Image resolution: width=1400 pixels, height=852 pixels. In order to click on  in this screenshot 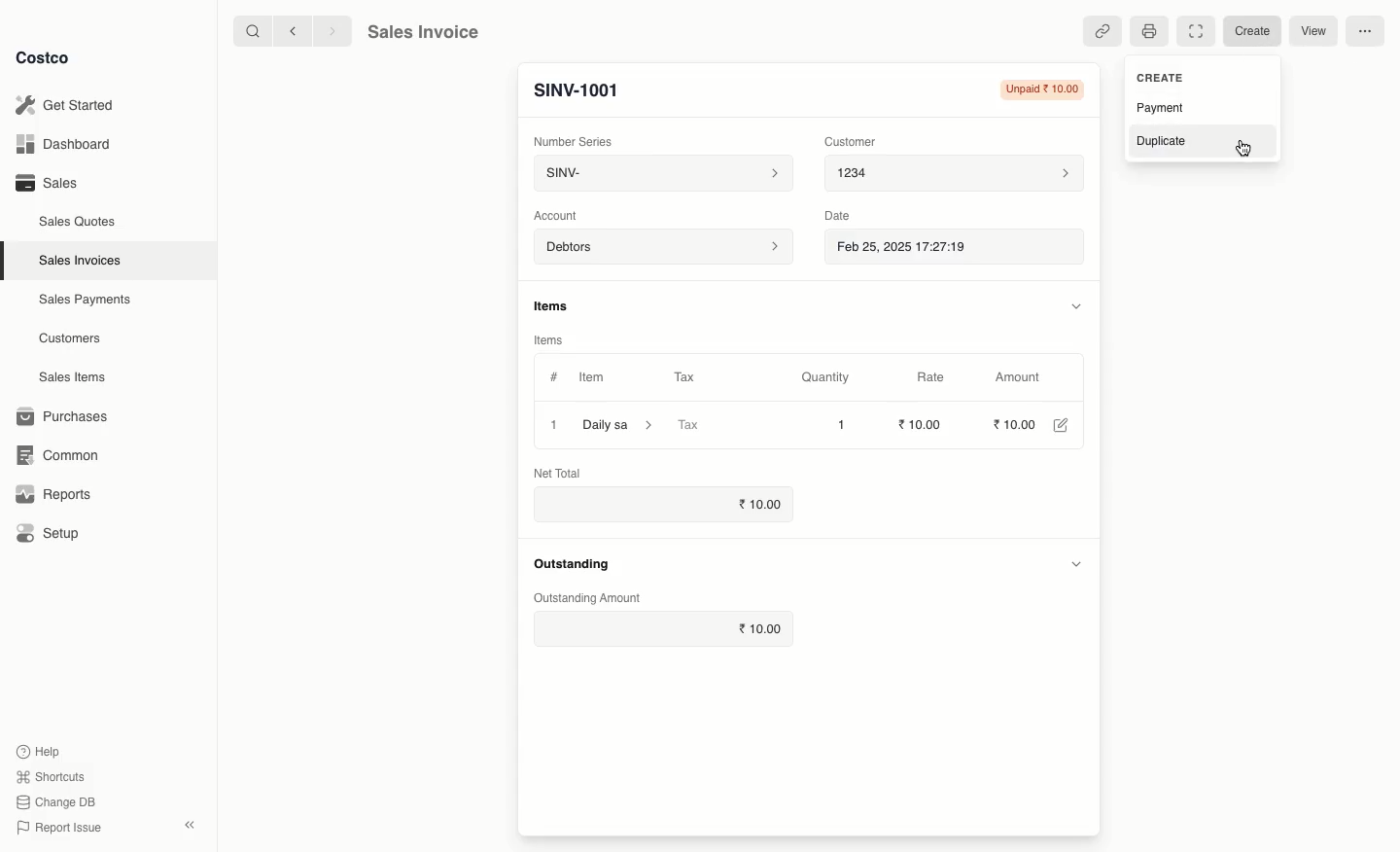, I will do `click(556, 304)`.